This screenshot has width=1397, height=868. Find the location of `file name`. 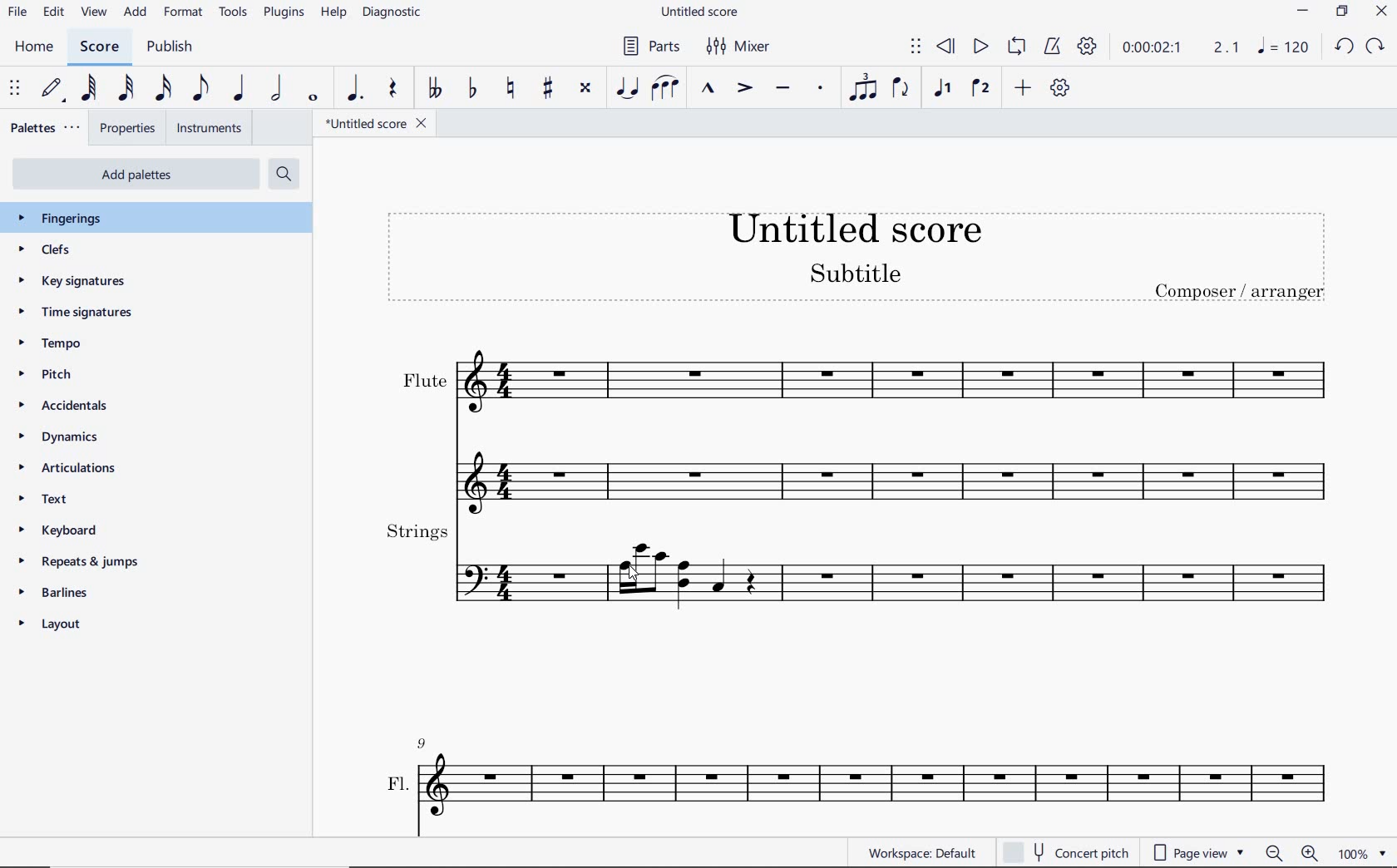

file name is located at coordinates (375, 124).